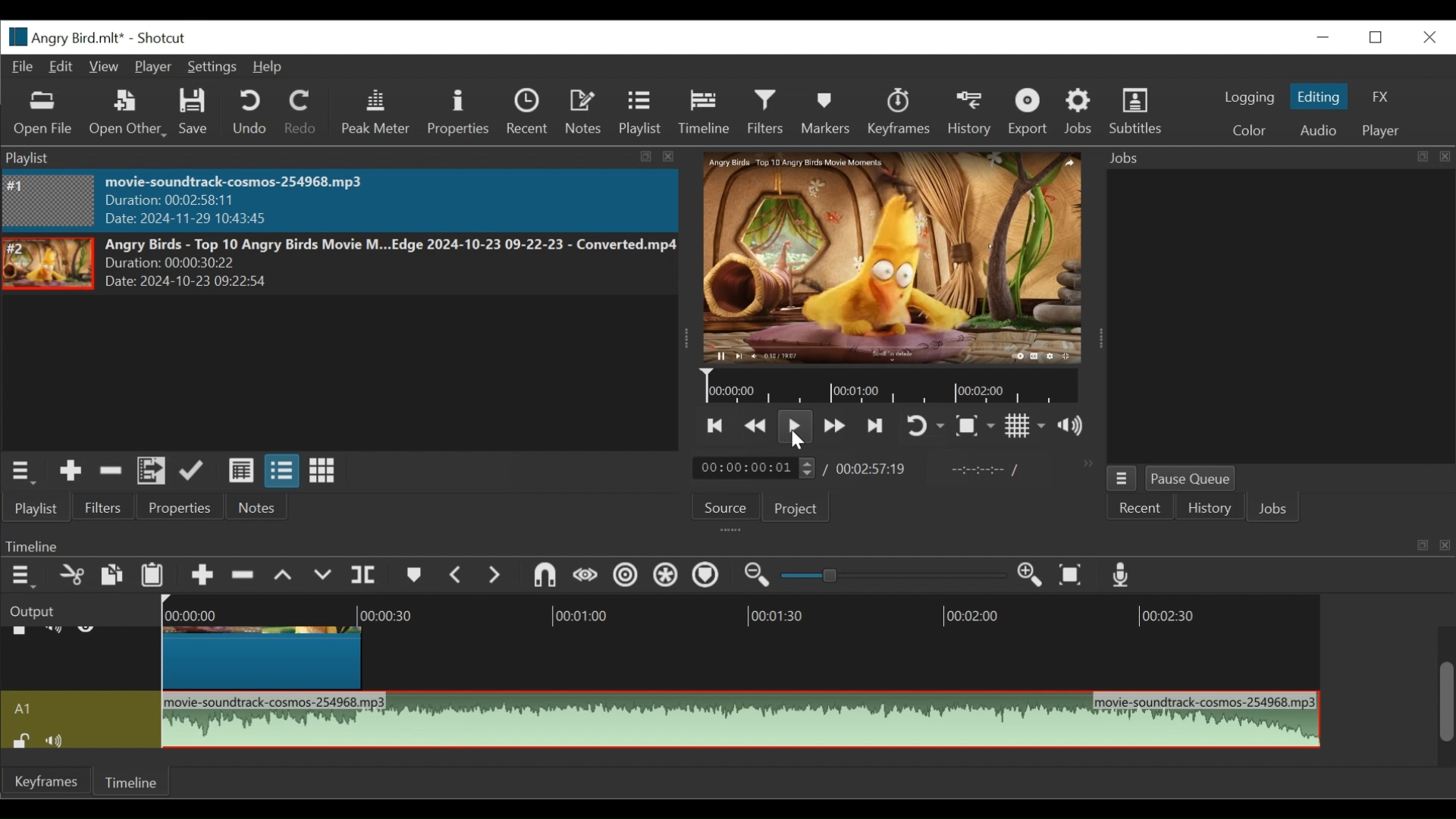 Image resolution: width=1456 pixels, height=819 pixels. Describe the element at coordinates (65, 36) in the screenshot. I see `File Name` at that location.